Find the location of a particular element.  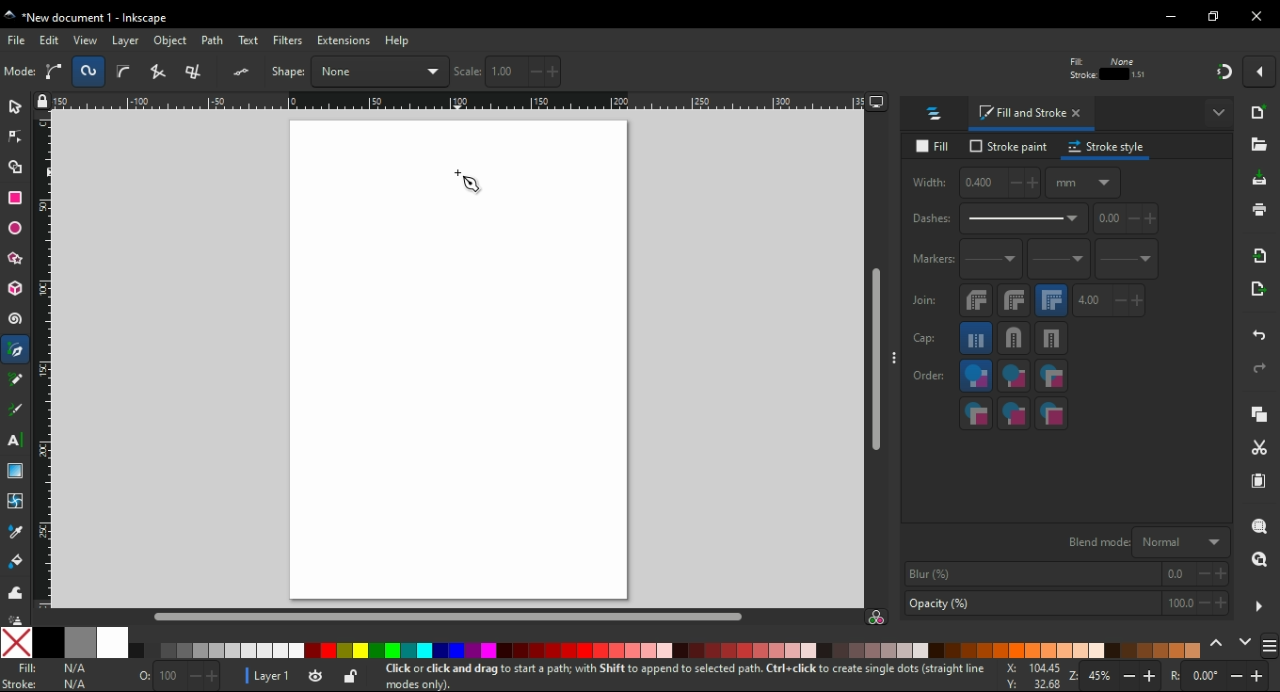

rotation is located at coordinates (1218, 677).